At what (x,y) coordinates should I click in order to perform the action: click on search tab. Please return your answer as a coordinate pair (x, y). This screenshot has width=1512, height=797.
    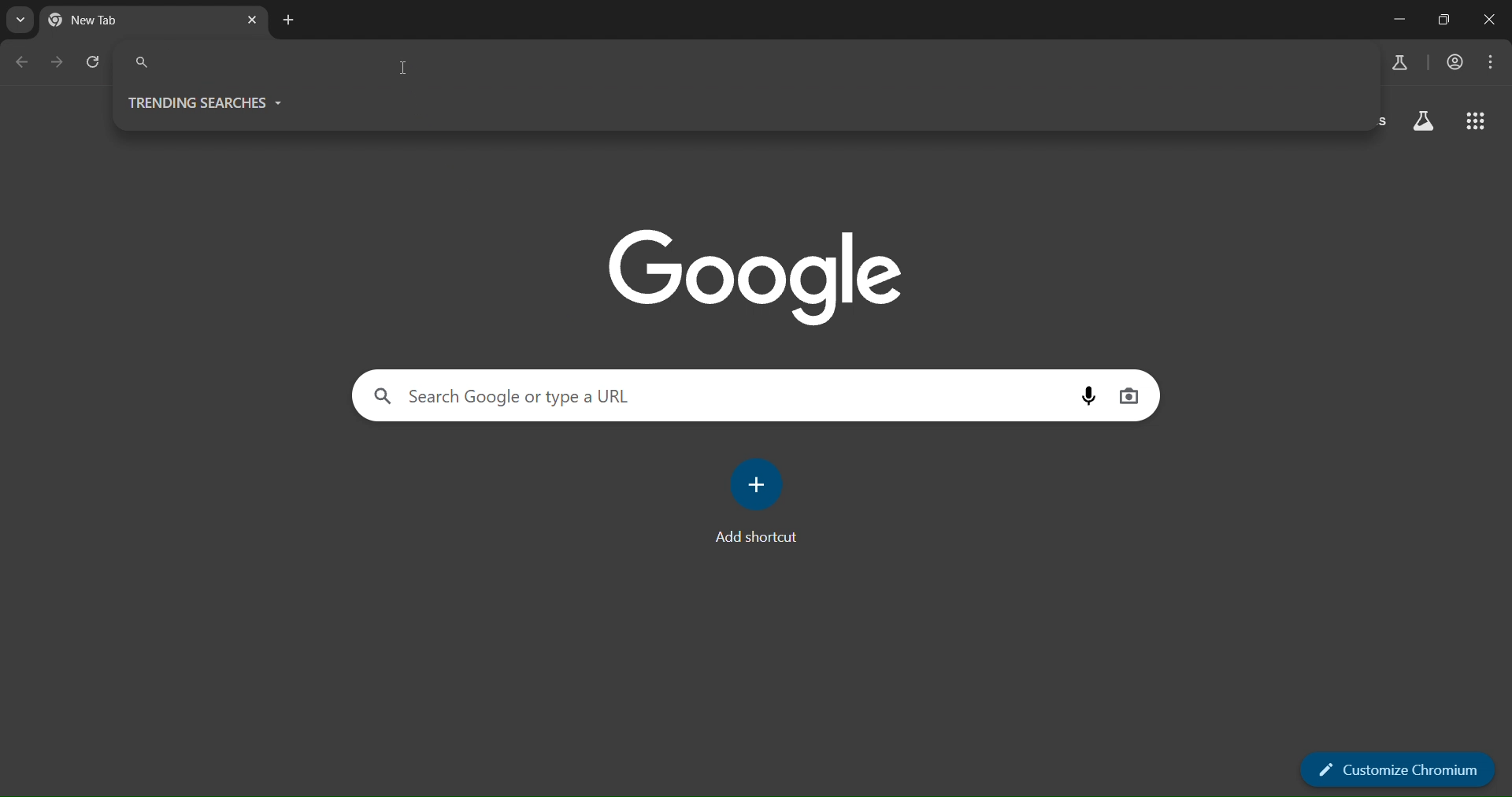
    Looking at the image, I should click on (20, 23).